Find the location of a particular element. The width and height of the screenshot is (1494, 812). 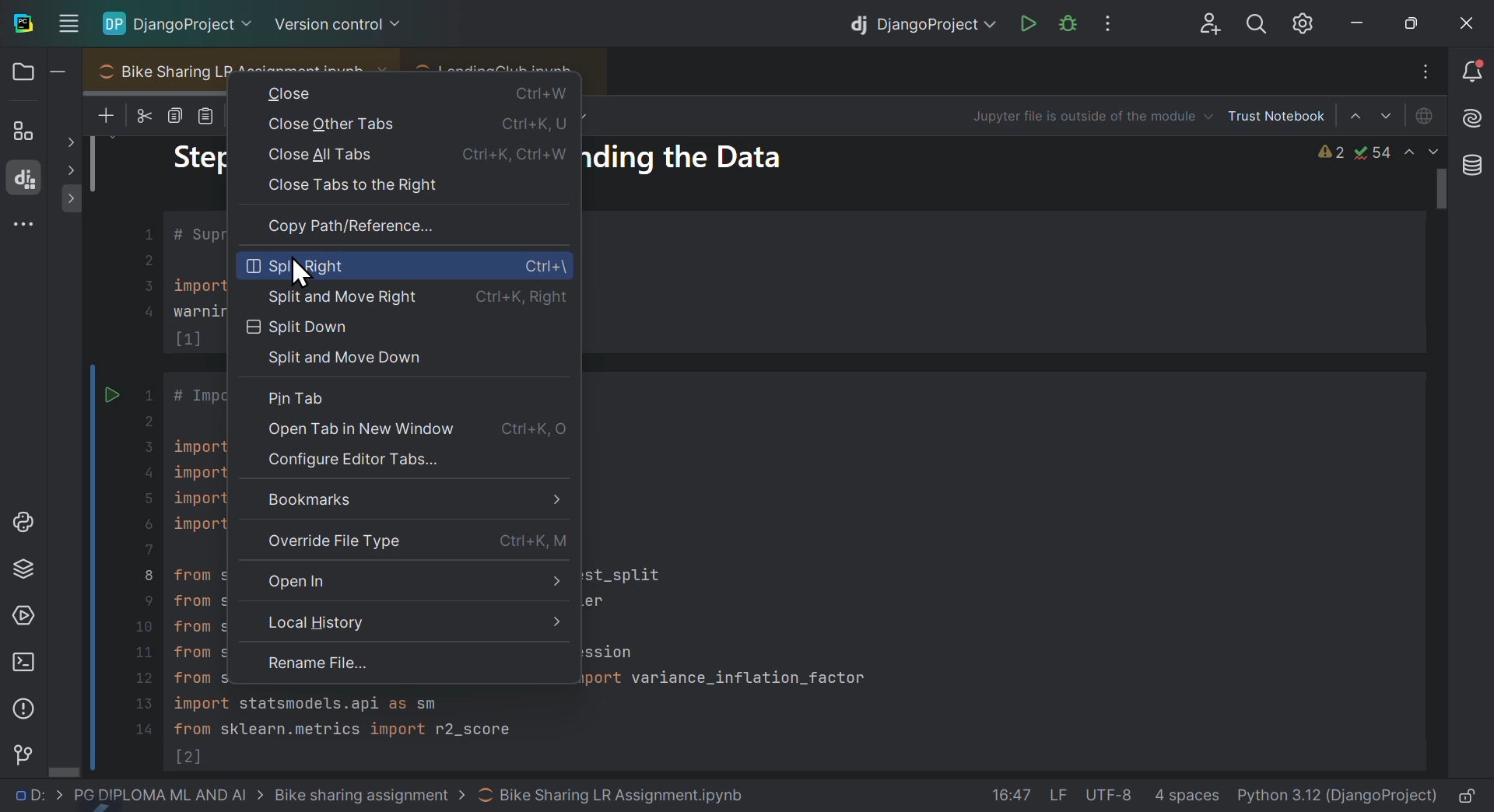

Rename file is located at coordinates (348, 663).